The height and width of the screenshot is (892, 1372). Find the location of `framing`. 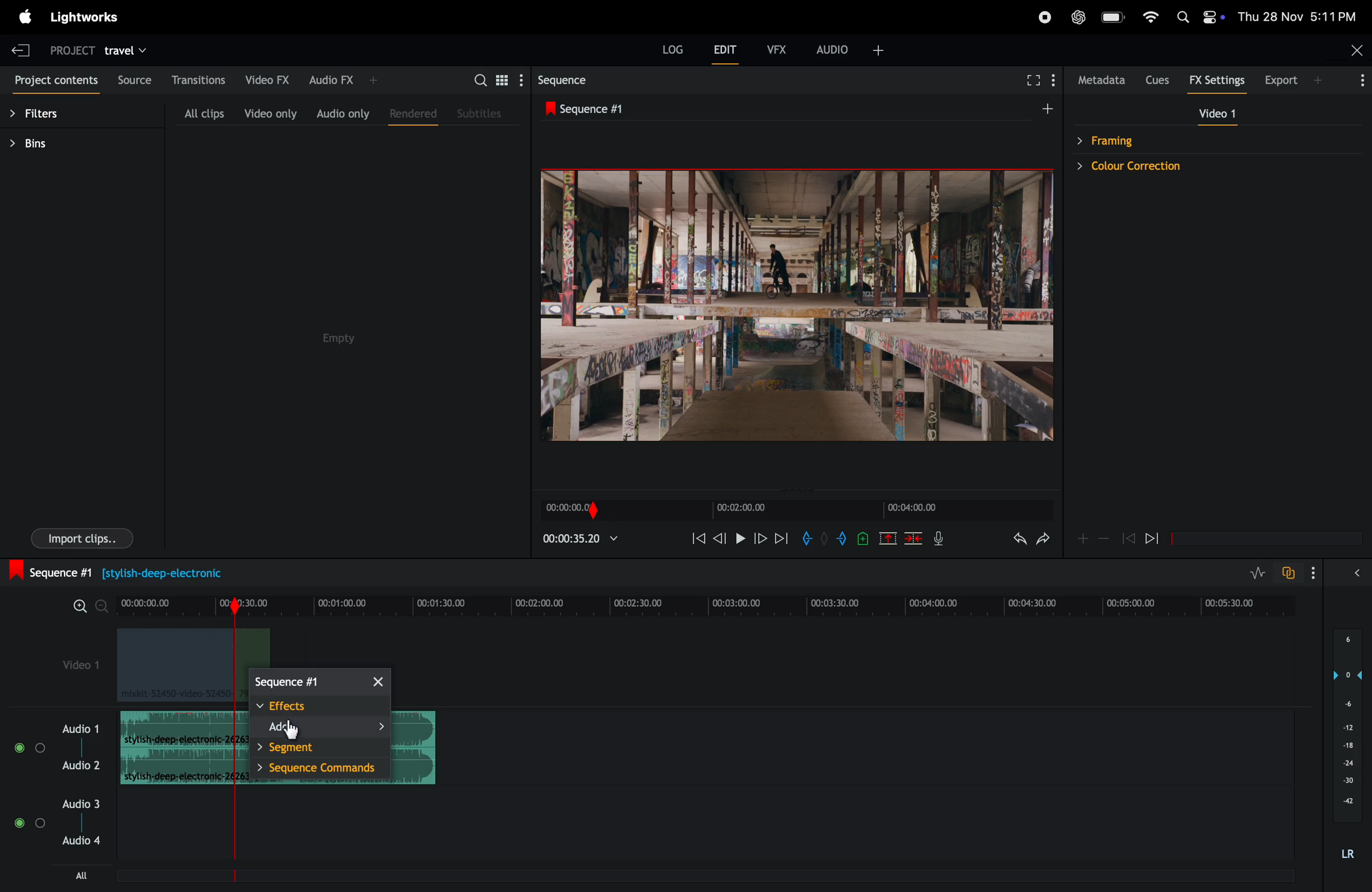

framing is located at coordinates (1156, 139).